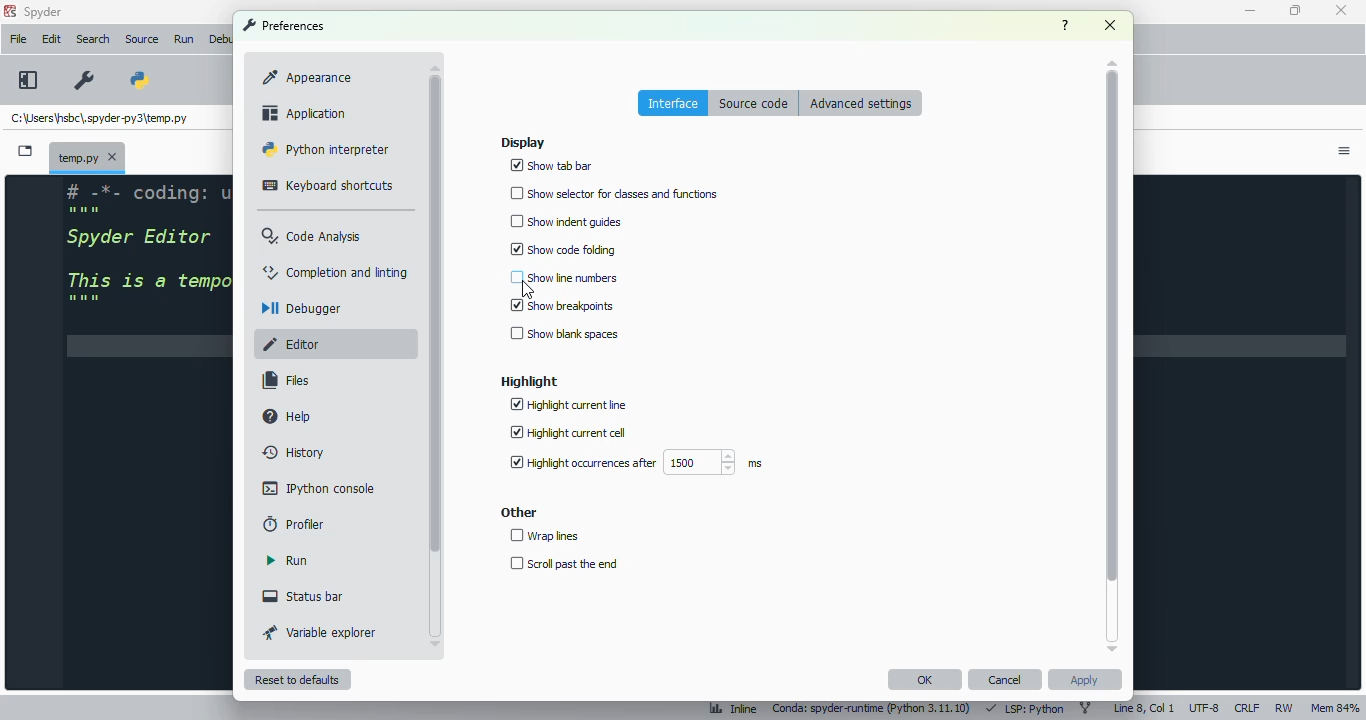 The height and width of the screenshot is (720, 1366). Describe the element at coordinates (873, 707) in the screenshot. I see `conda: spyder-runtime (python 3. 11. 10)` at that location.